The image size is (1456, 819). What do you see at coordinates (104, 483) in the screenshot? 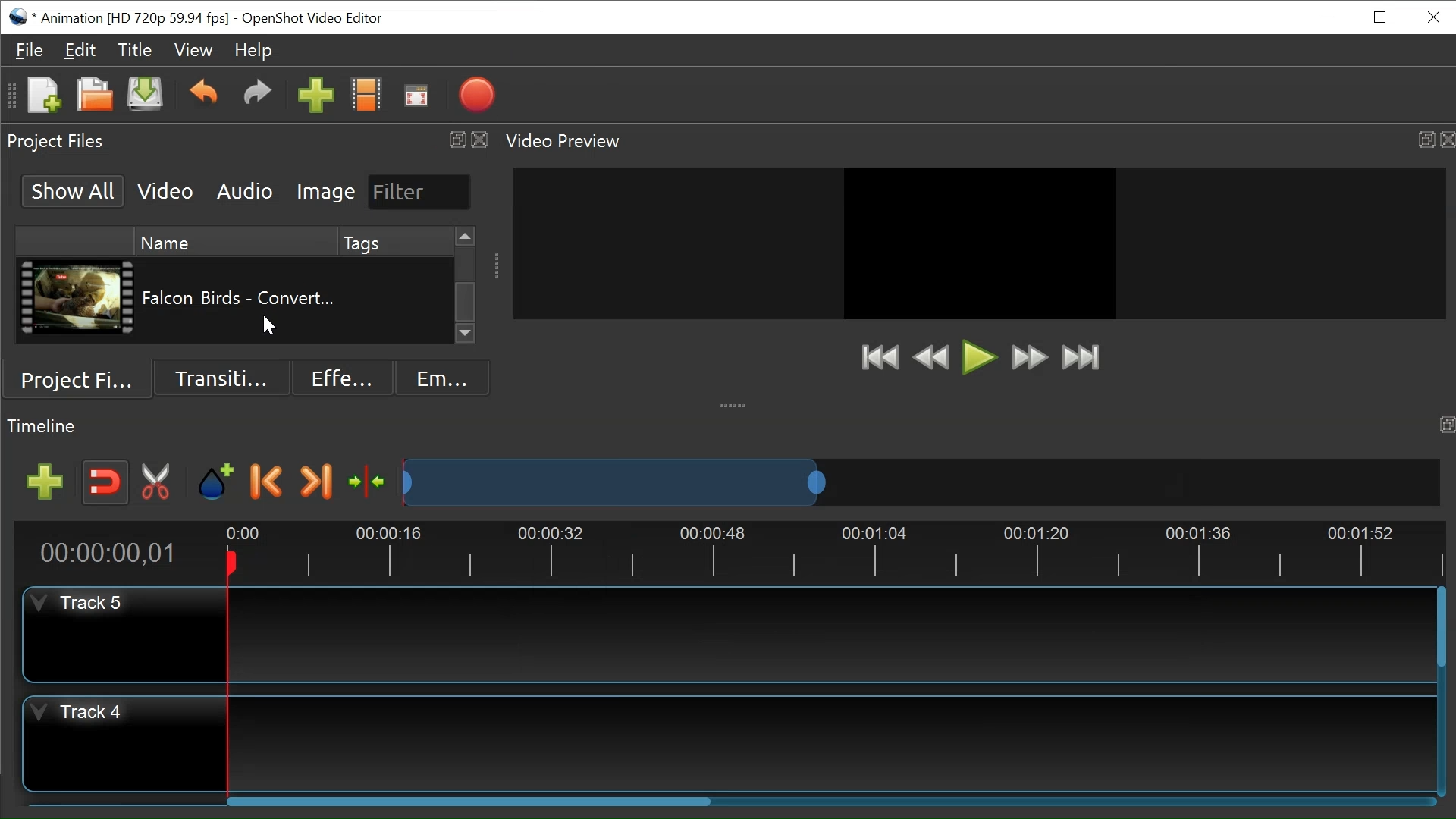
I see `Snap` at bounding box center [104, 483].